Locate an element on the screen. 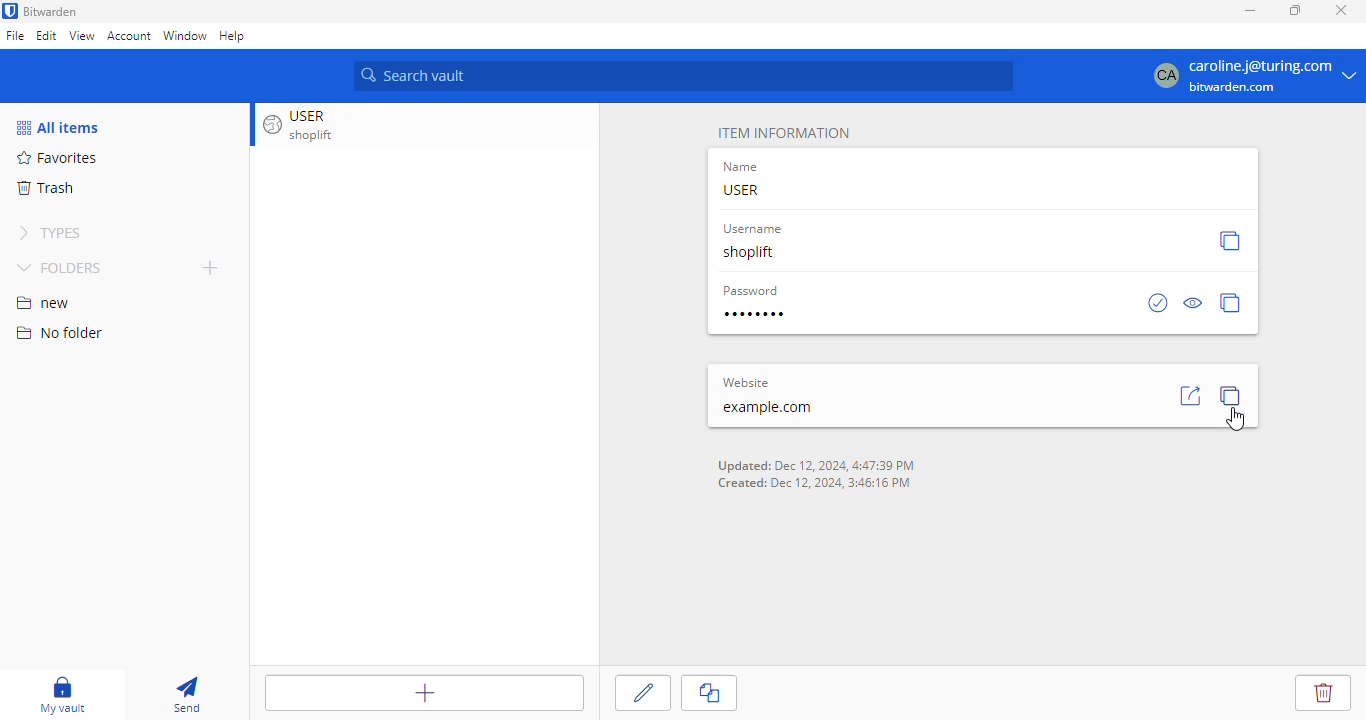 The height and width of the screenshot is (720, 1366). view is located at coordinates (82, 36).